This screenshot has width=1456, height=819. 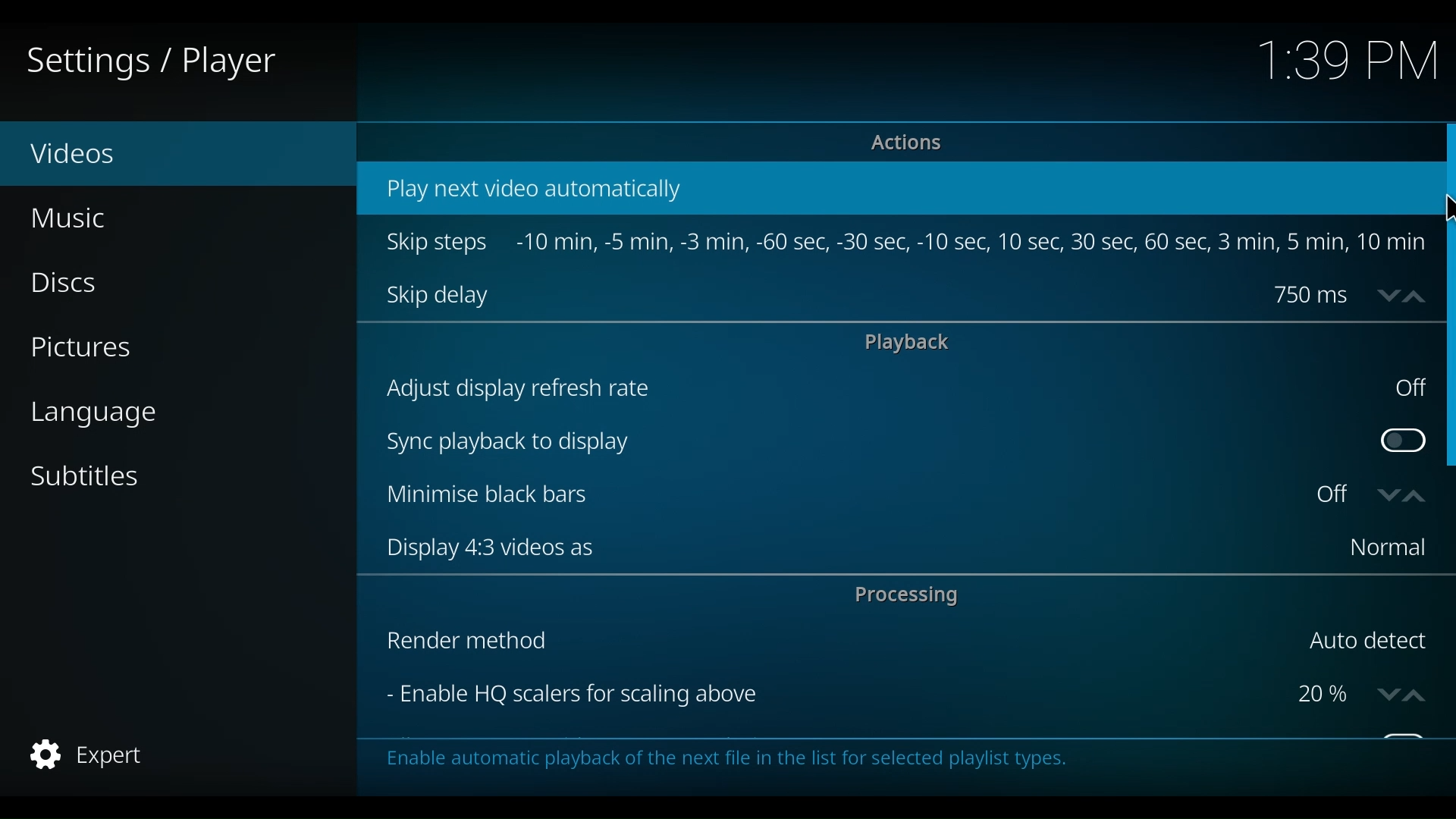 I want to click on 750 ms, so click(x=1309, y=295).